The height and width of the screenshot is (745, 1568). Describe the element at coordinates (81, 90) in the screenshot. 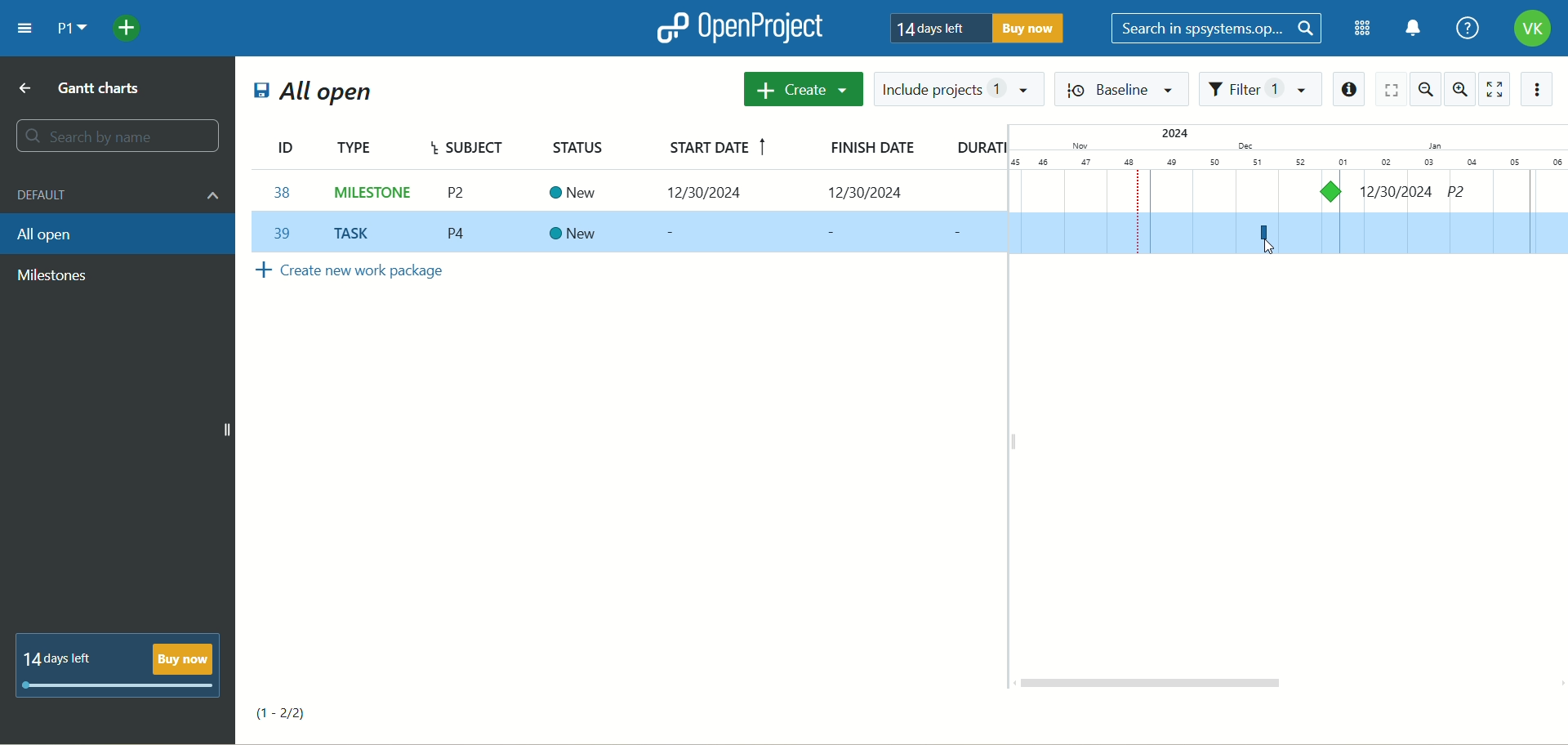

I see `gantt charts` at that location.